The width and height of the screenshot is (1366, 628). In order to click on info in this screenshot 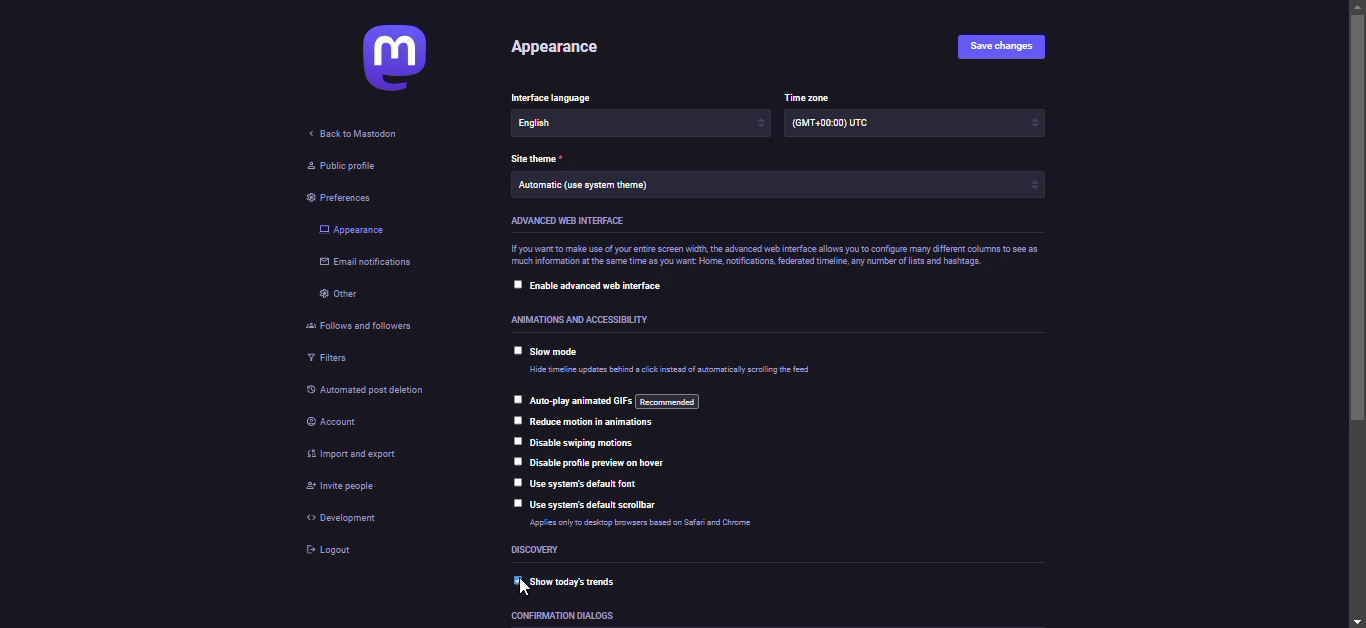, I will do `click(661, 526)`.